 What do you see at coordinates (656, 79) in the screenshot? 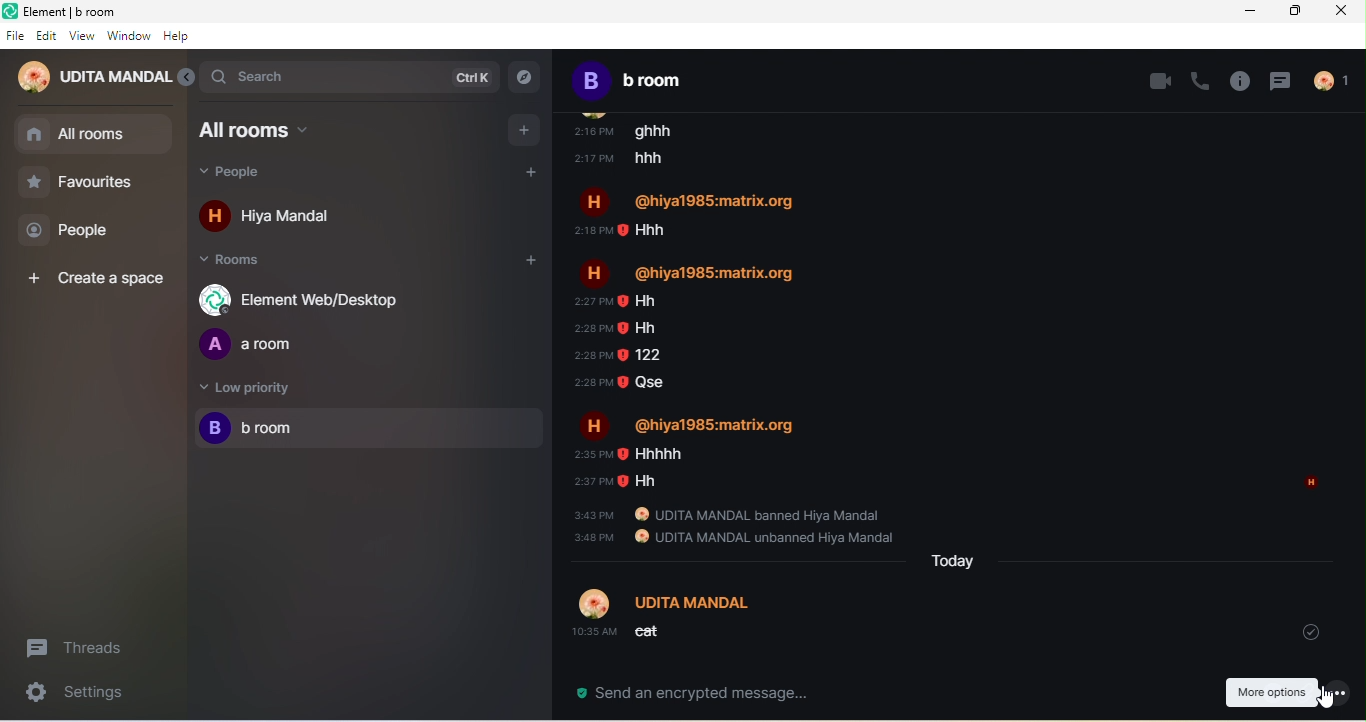
I see `b room` at bounding box center [656, 79].